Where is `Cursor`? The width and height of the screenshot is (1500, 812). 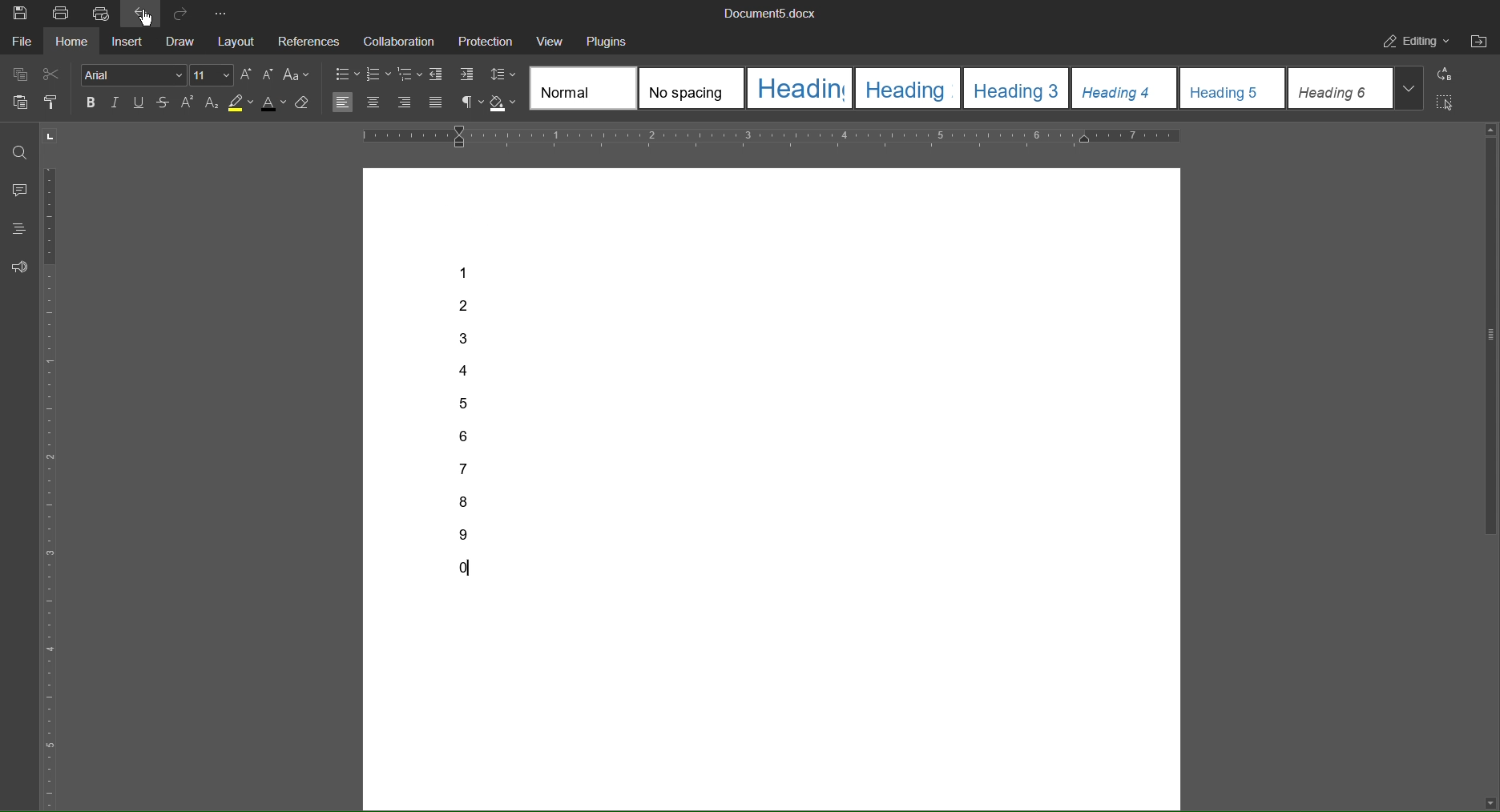
Cursor is located at coordinates (145, 16).